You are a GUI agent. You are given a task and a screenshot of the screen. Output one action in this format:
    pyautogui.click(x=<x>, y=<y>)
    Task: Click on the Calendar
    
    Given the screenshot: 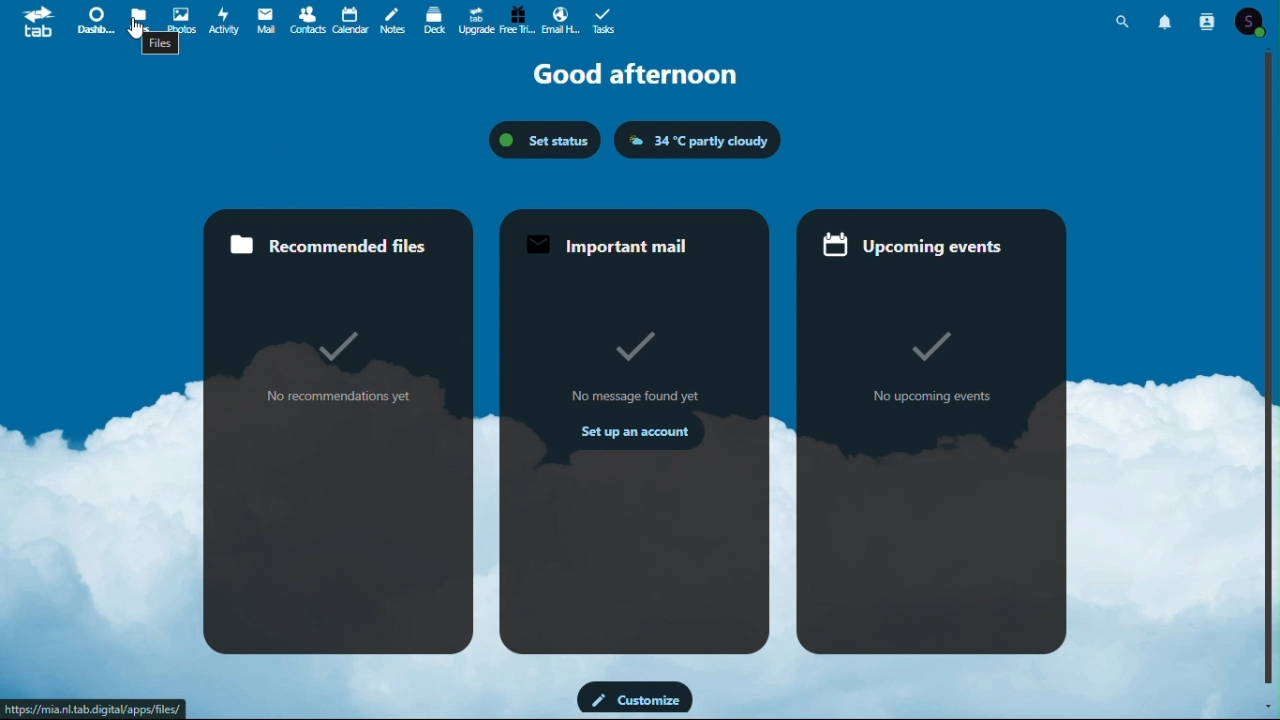 What is the action you would take?
    pyautogui.click(x=352, y=19)
    